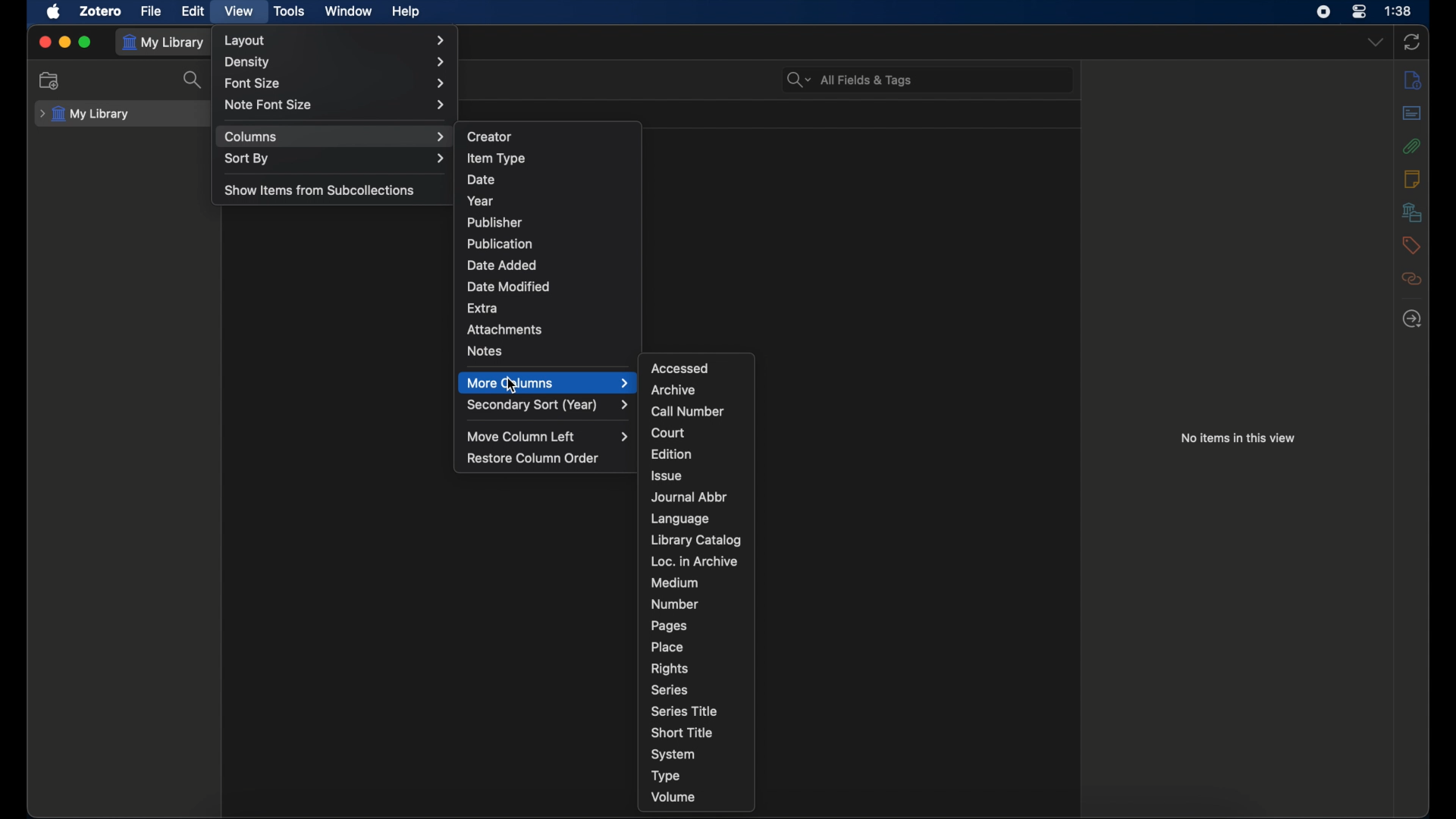 The image size is (1456, 819). Describe the element at coordinates (496, 221) in the screenshot. I see `publisher` at that location.